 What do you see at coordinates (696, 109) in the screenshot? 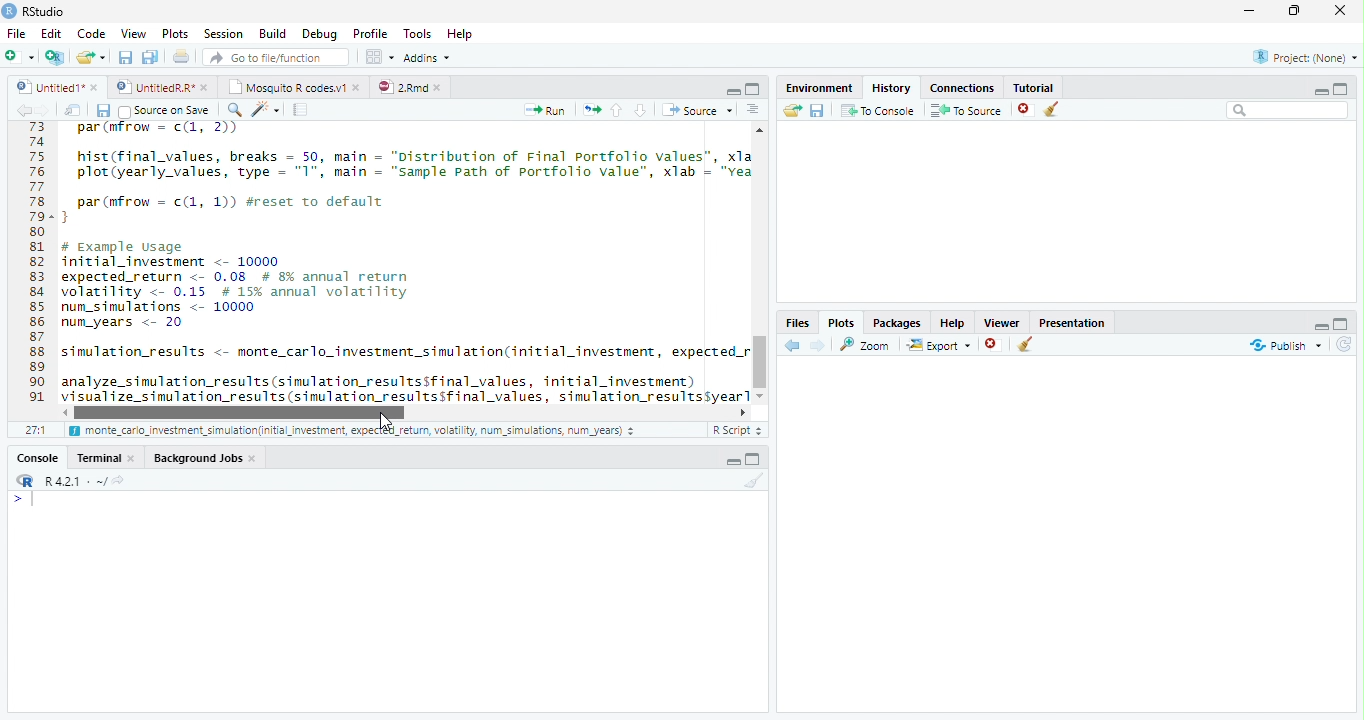
I see `Source` at bounding box center [696, 109].